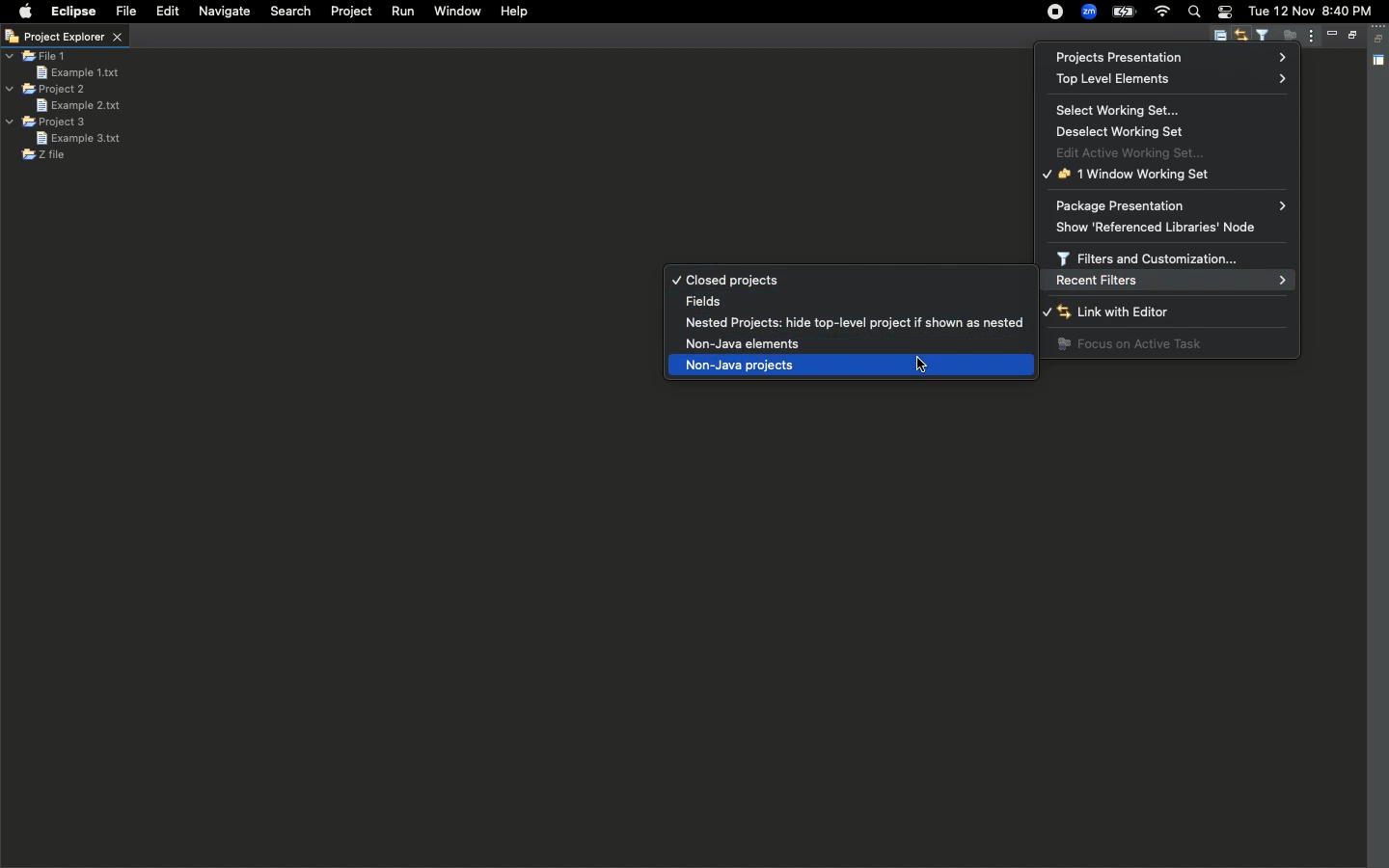 Image resolution: width=1389 pixels, height=868 pixels. What do you see at coordinates (1380, 39) in the screenshot?
I see `Collapse all` at bounding box center [1380, 39].